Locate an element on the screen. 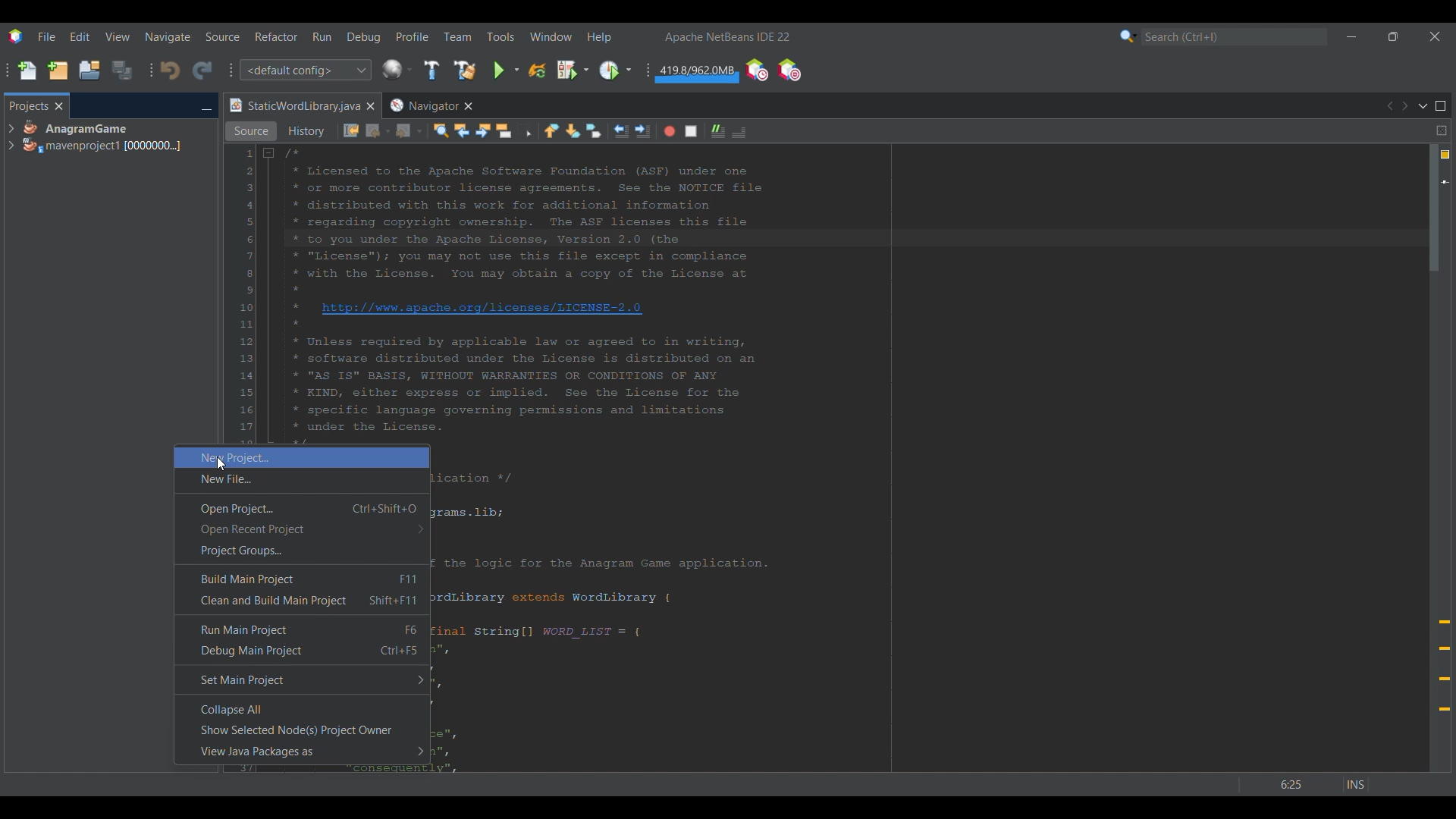 This screenshot has height=819, width=1456. Find previous occurrences is located at coordinates (462, 130).